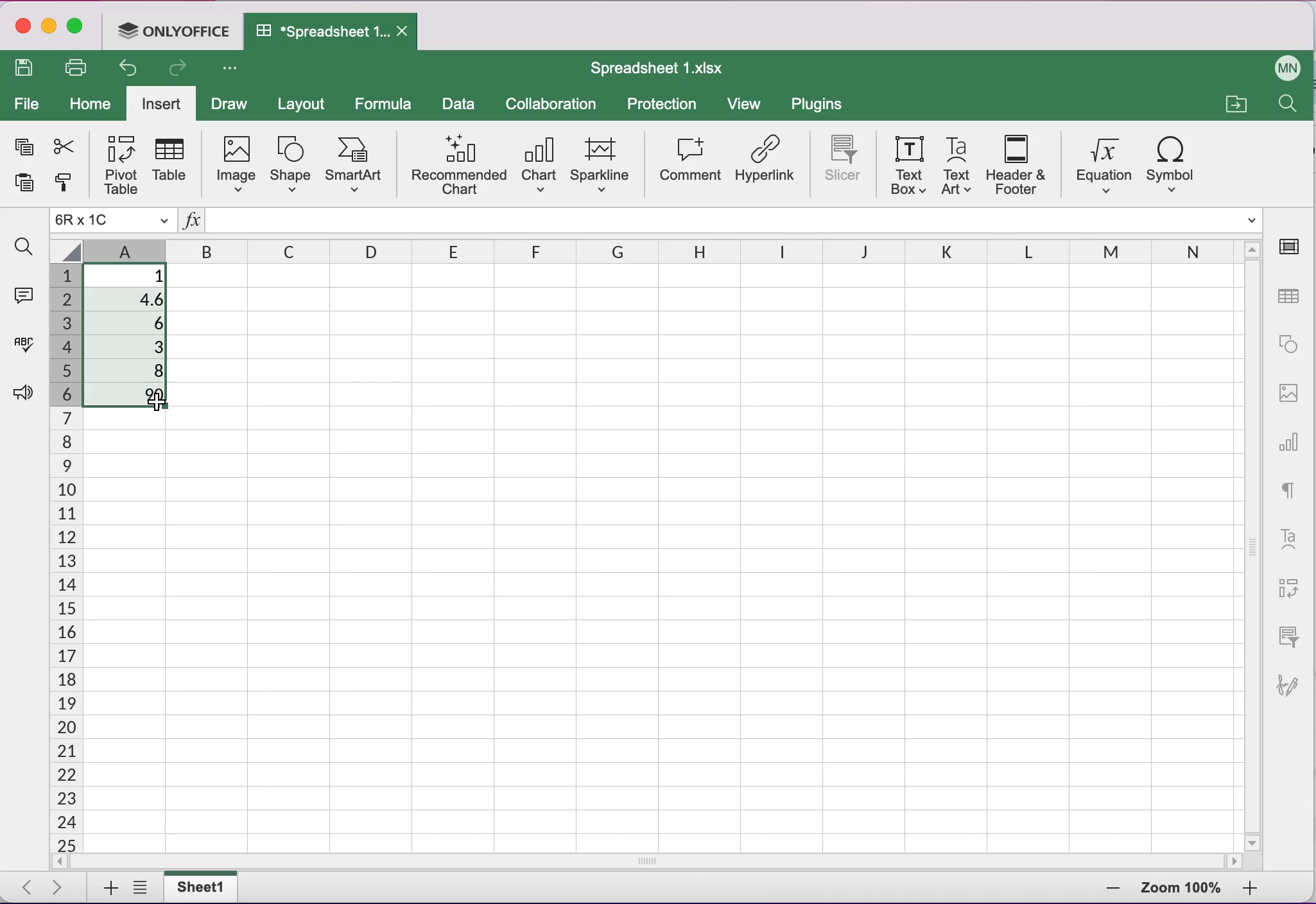 The image size is (1316, 904). What do you see at coordinates (62, 146) in the screenshot?
I see `cut` at bounding box center [62, 146].